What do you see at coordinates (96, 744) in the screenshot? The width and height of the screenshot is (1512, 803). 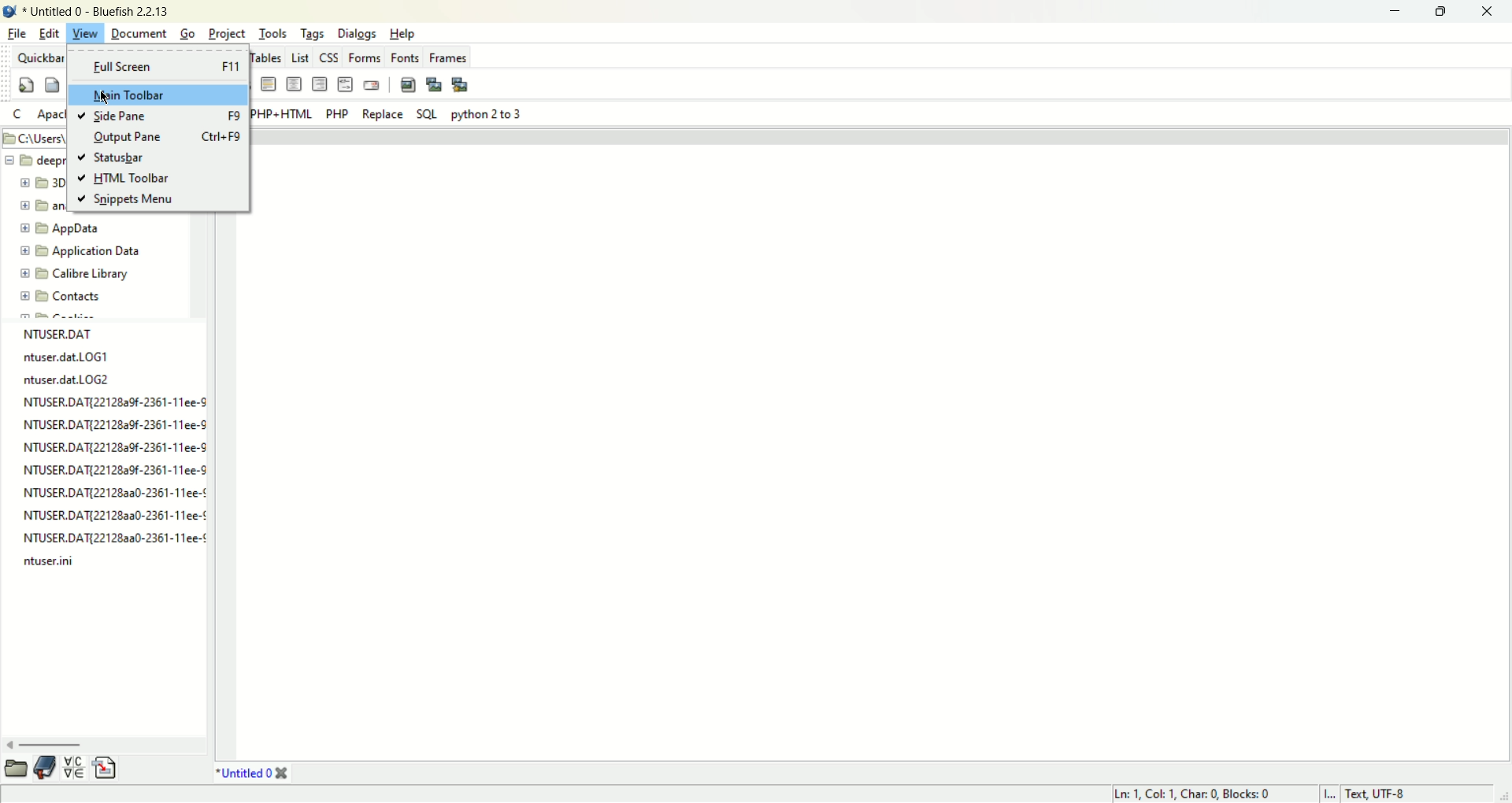 I see `horizontal scroll bar` at bounding box center [96, 744].